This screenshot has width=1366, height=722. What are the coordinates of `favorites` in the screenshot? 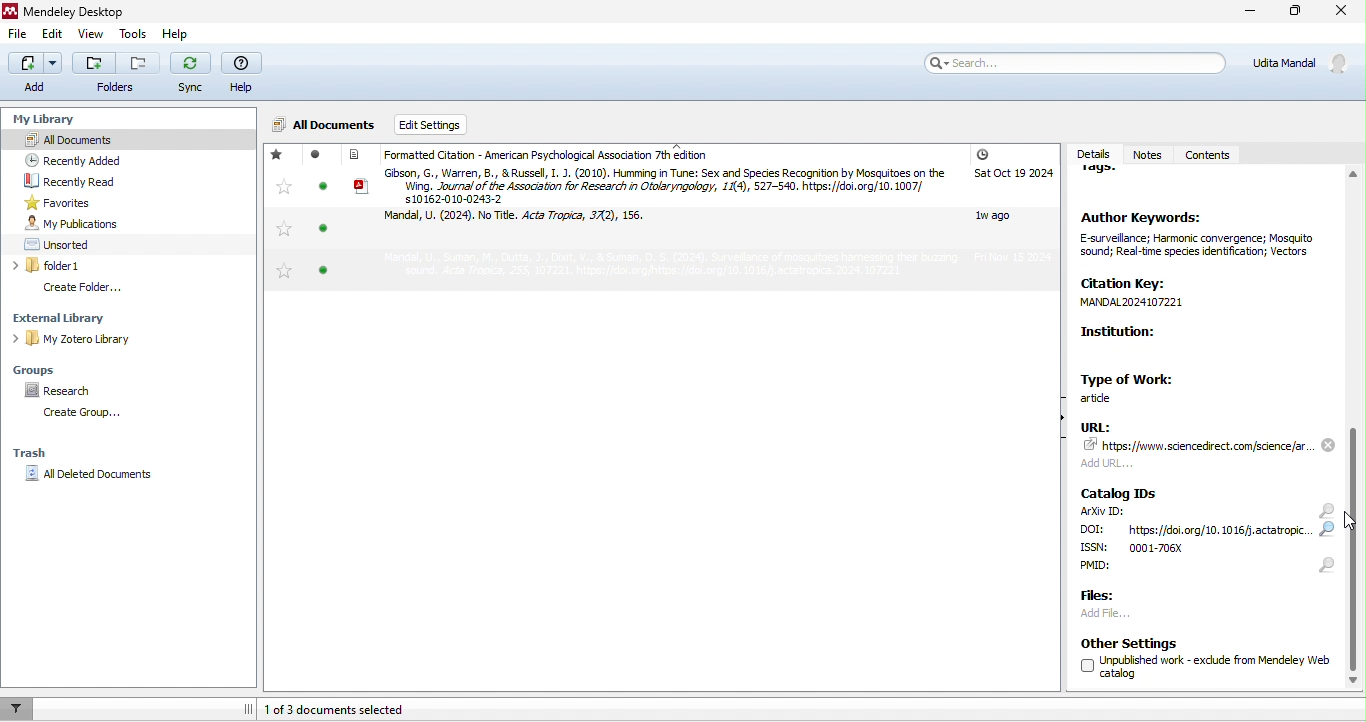 It's located at (281, 214).